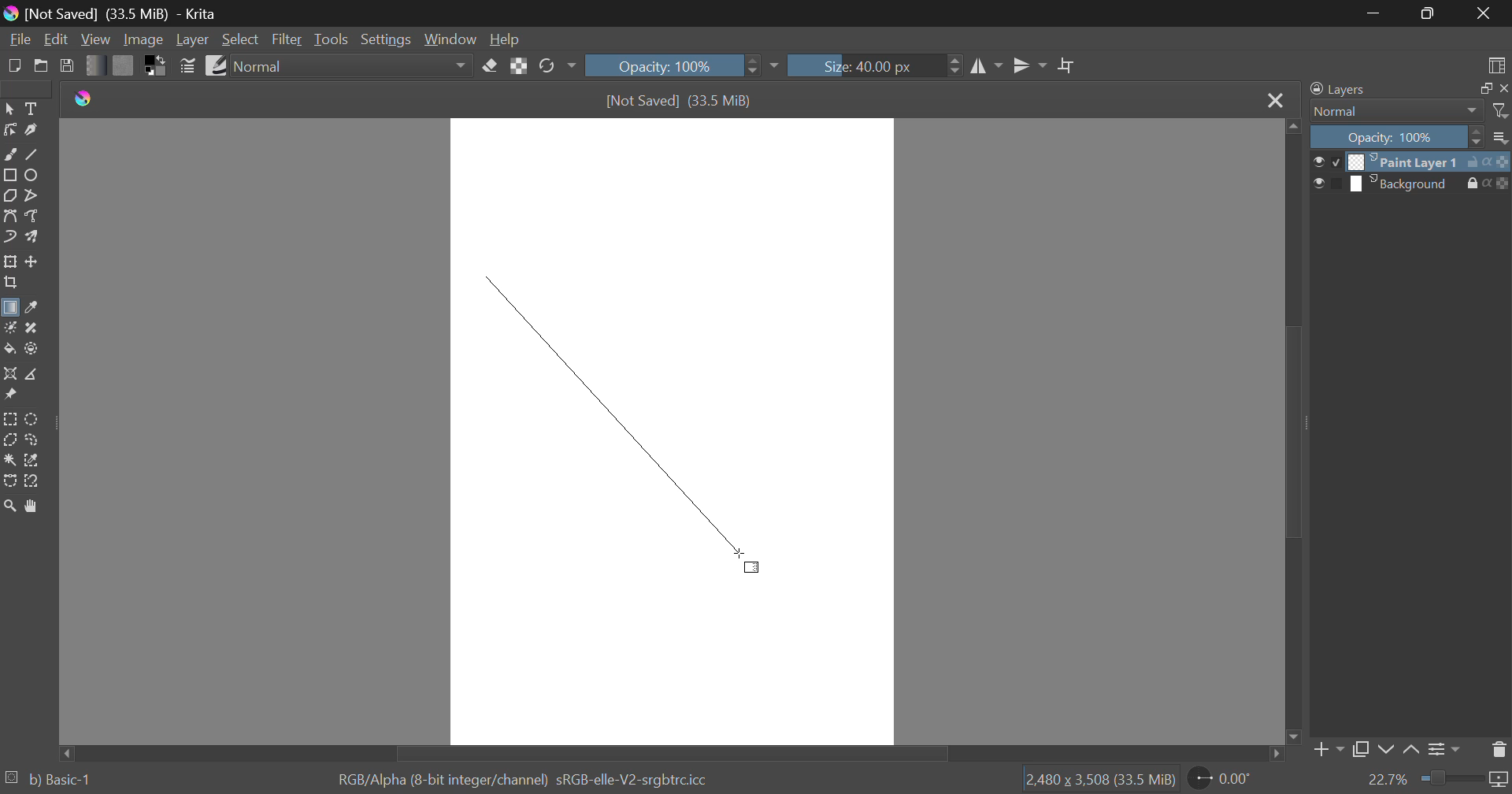 Image resolution: width=1512 pixels, height=794 pixels. I want to click on Freehand Selection, so click(32, 440).